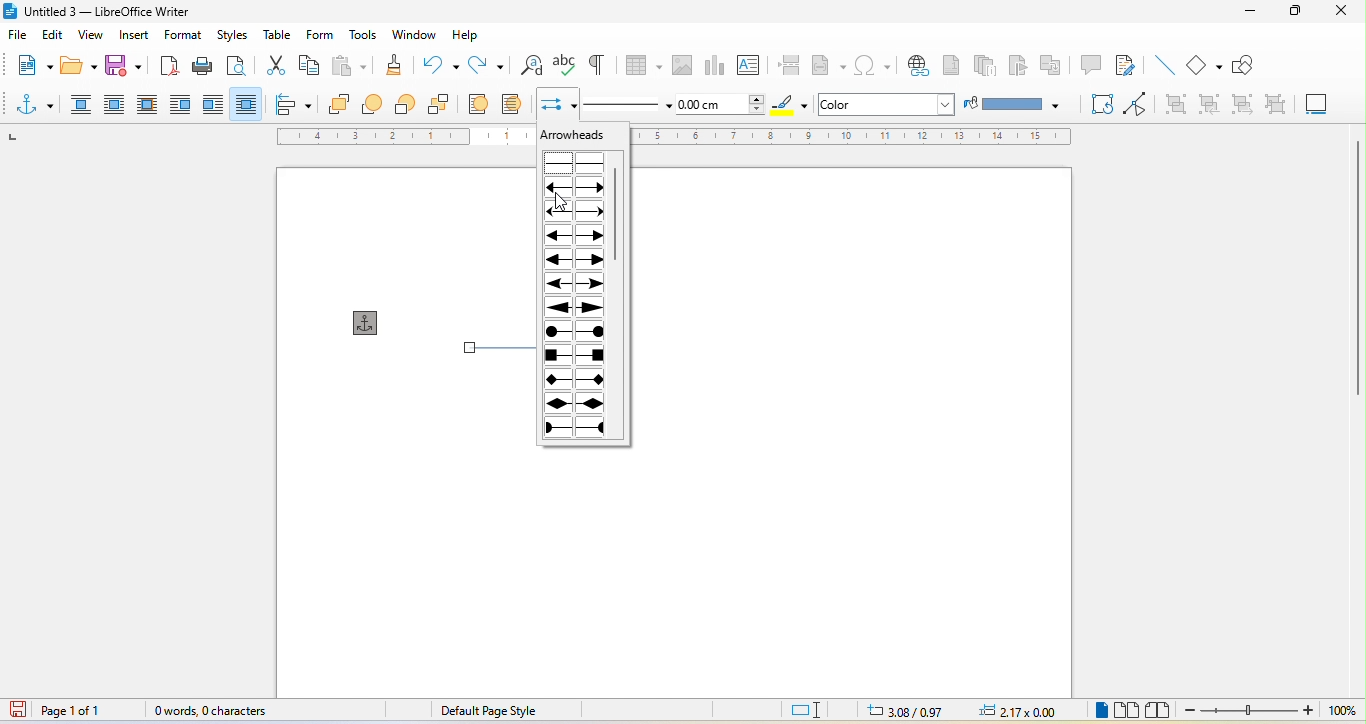  I want to click on book view, so click(1160, 710).